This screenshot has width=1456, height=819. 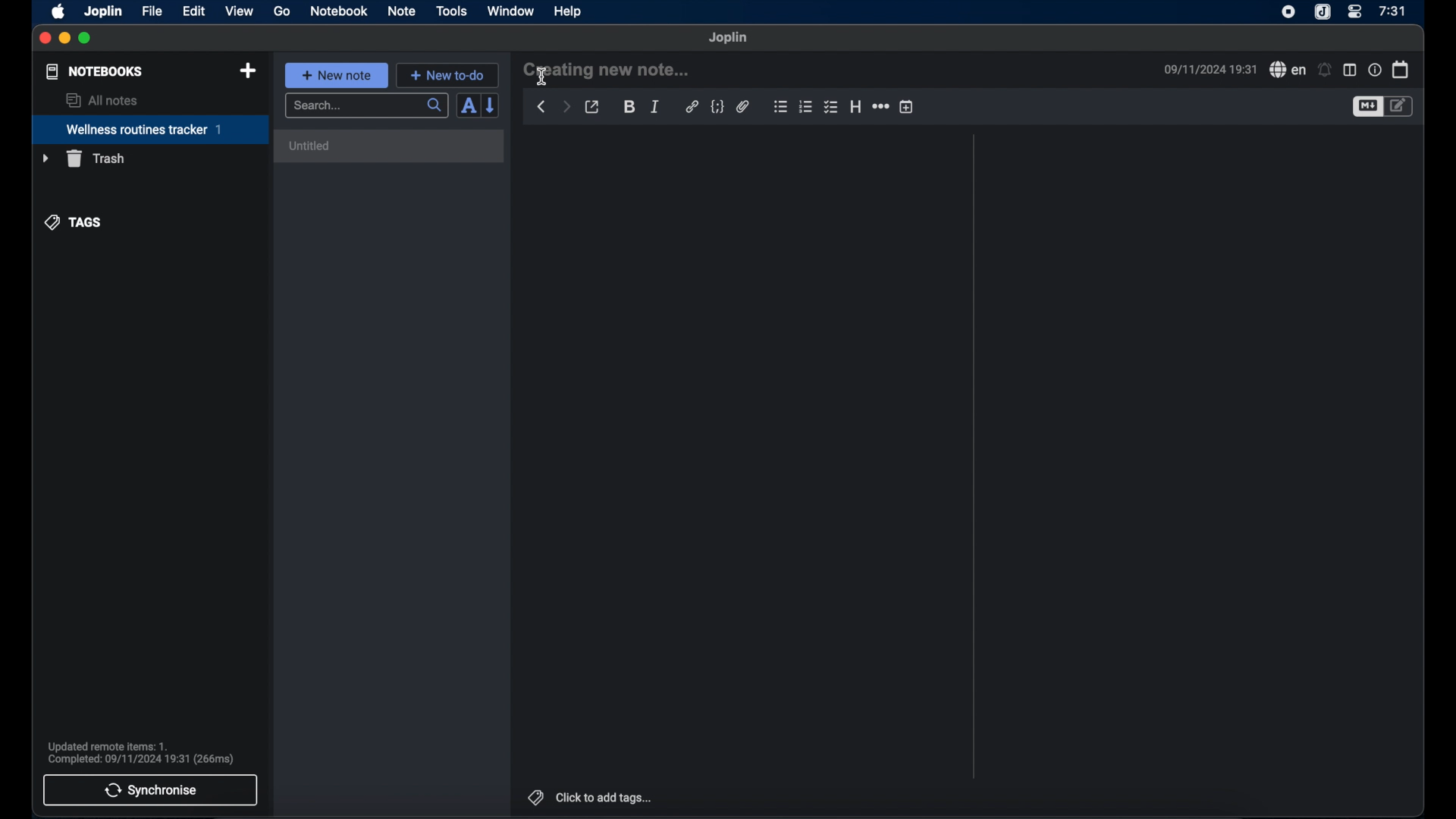 I want to click on tags, so click(x=74, y=223).